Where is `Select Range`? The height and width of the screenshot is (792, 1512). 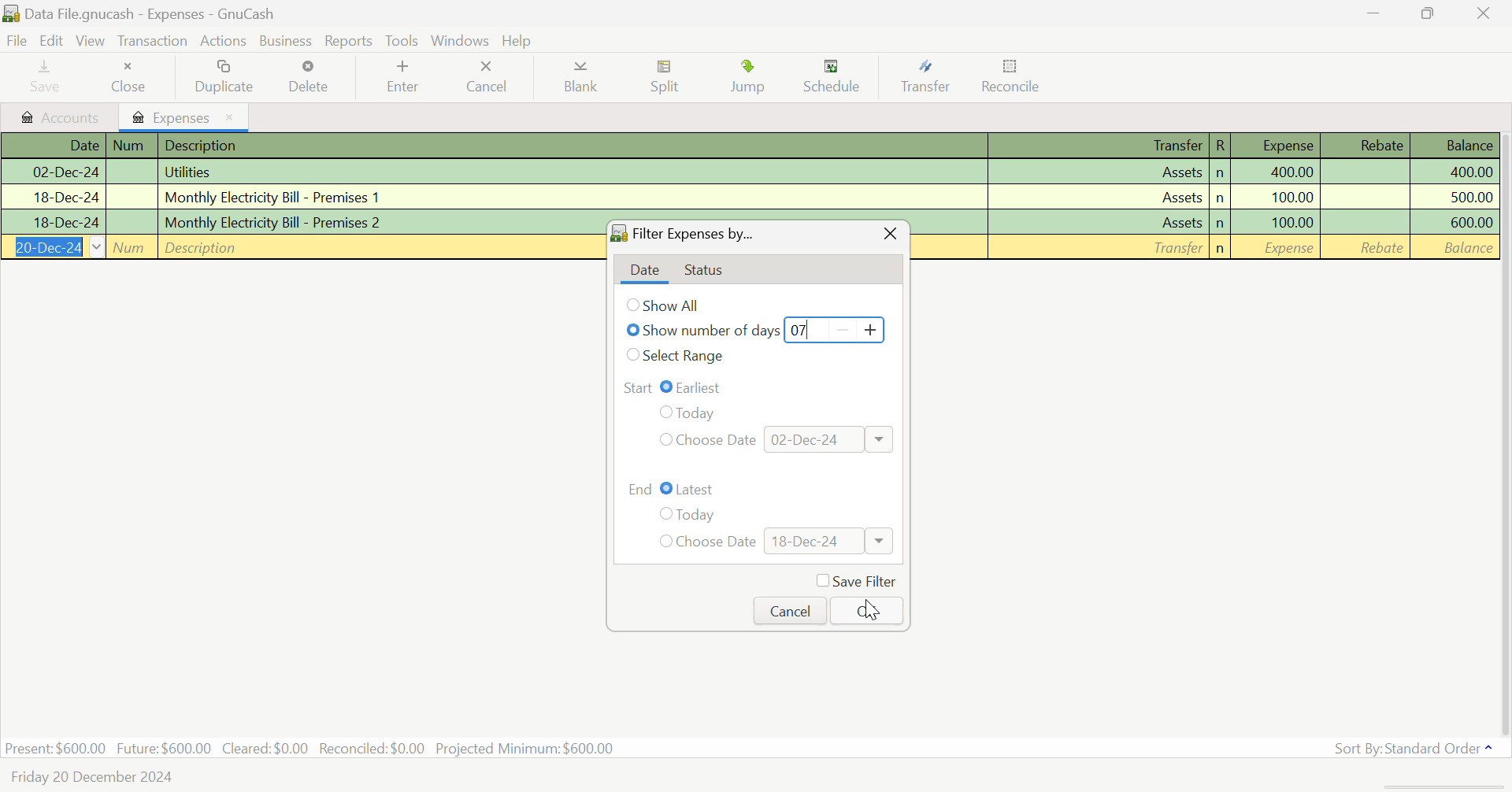 Select Range is located at coordinates (682, 359).